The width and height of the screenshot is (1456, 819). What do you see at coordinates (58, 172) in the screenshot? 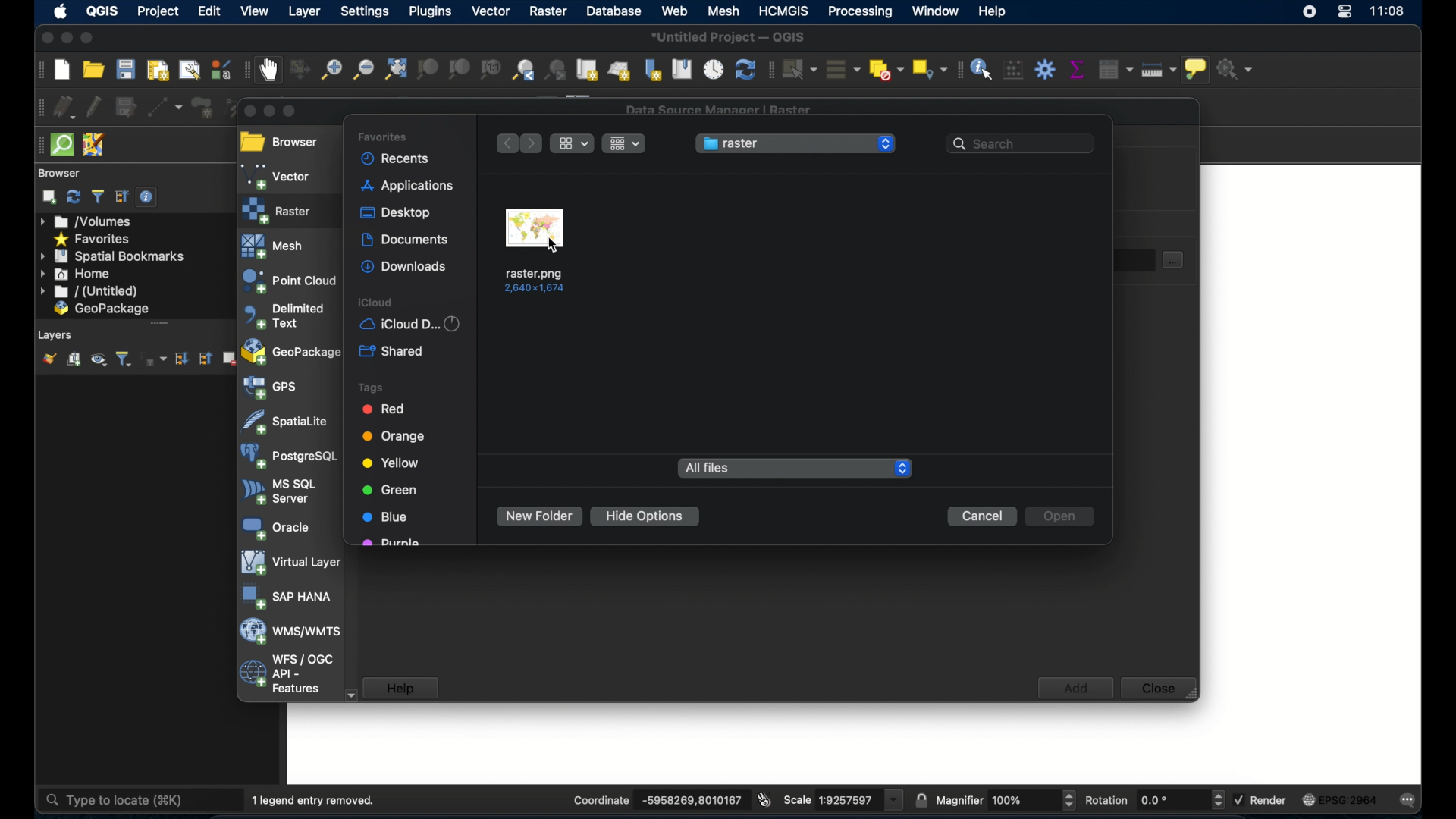
I see `browser` at bounding box center [58, 172].